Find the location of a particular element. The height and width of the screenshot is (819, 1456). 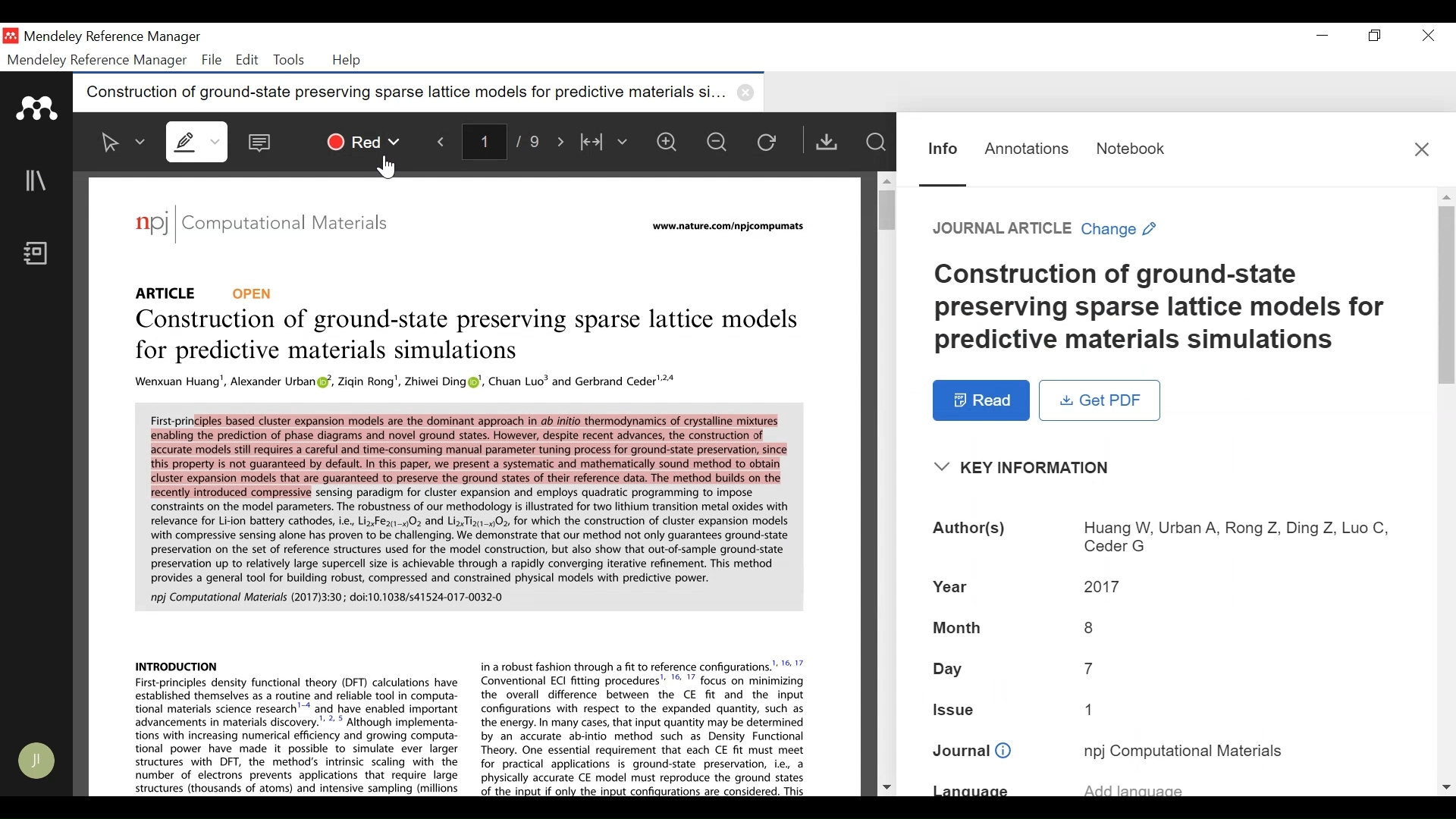

Scroll down is located at coordinates (886, 788).